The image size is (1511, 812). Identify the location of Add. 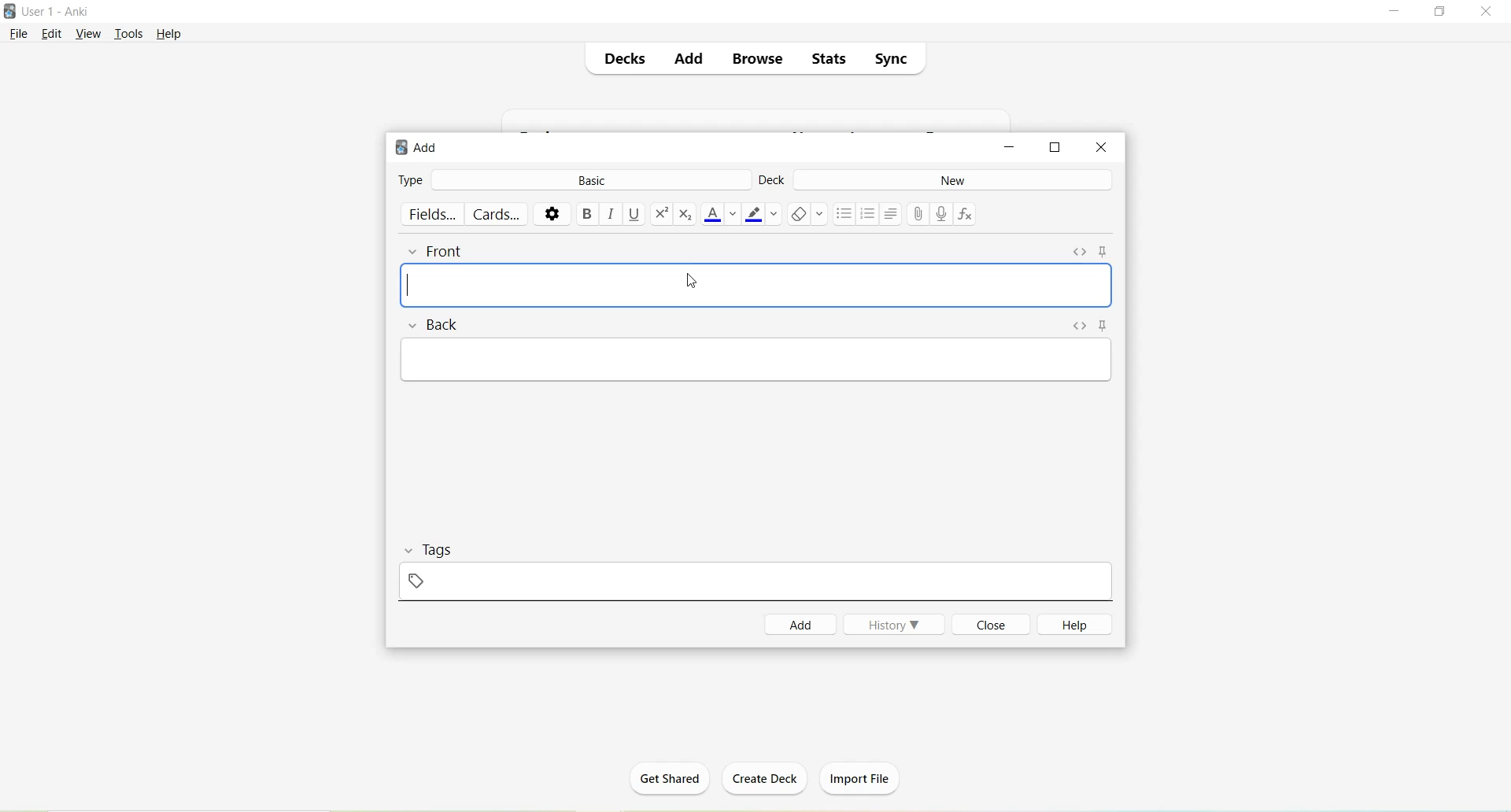
(801, 625).